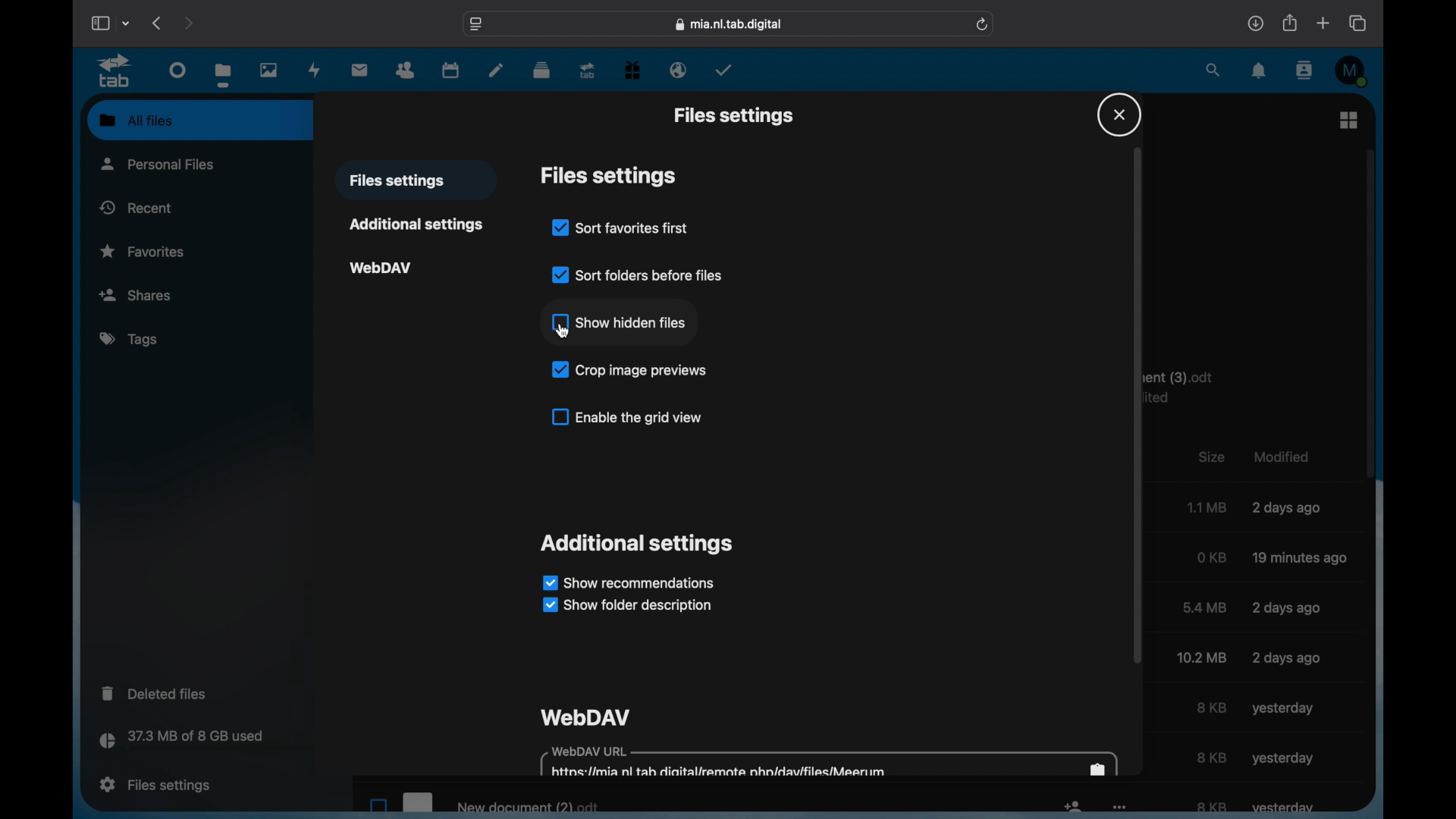  What do you see at coordinates (1304, 71) in the screenshot?
I see `contacts` at bounding box center [1304, 71].